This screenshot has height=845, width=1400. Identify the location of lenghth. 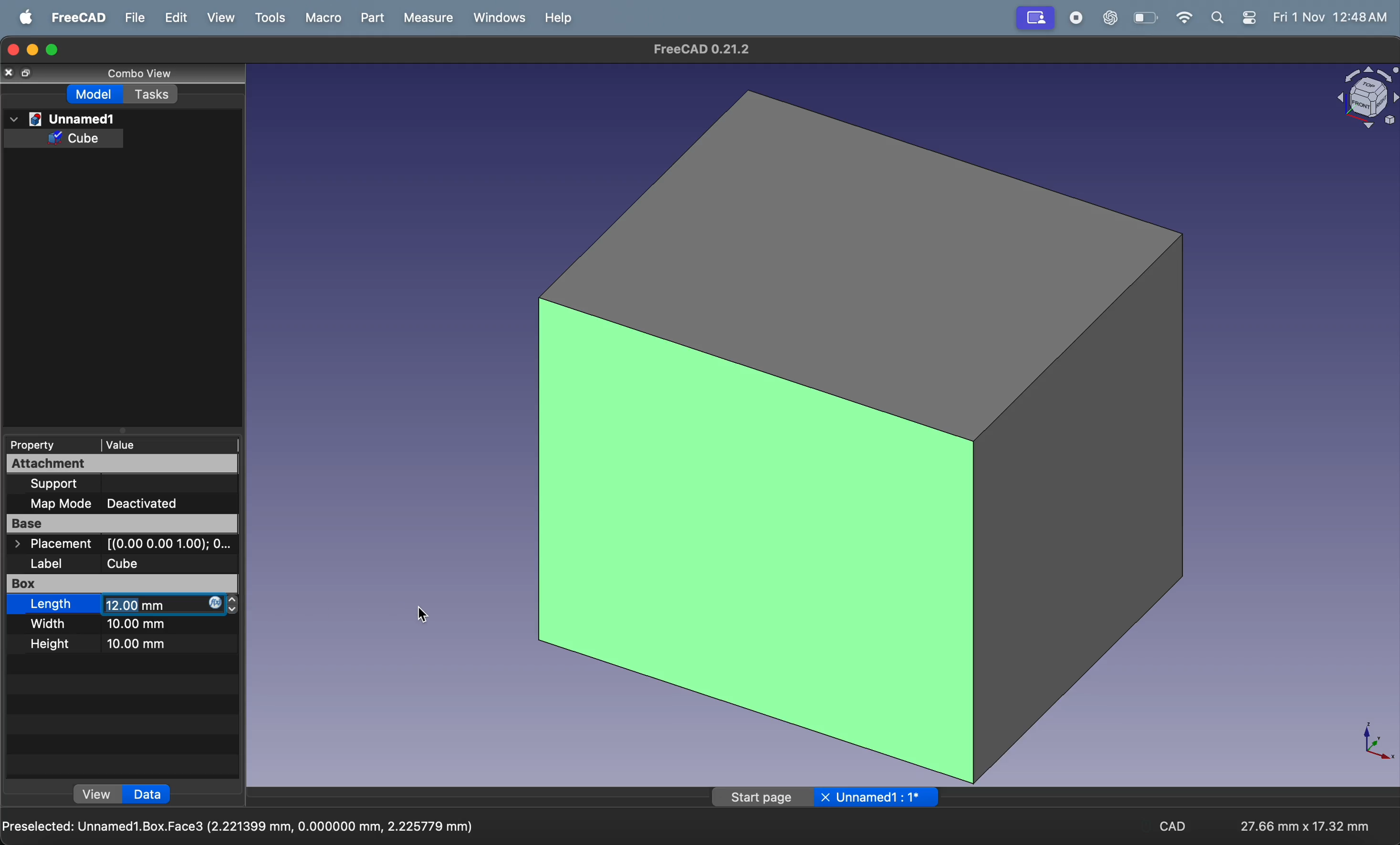
(50, 604).